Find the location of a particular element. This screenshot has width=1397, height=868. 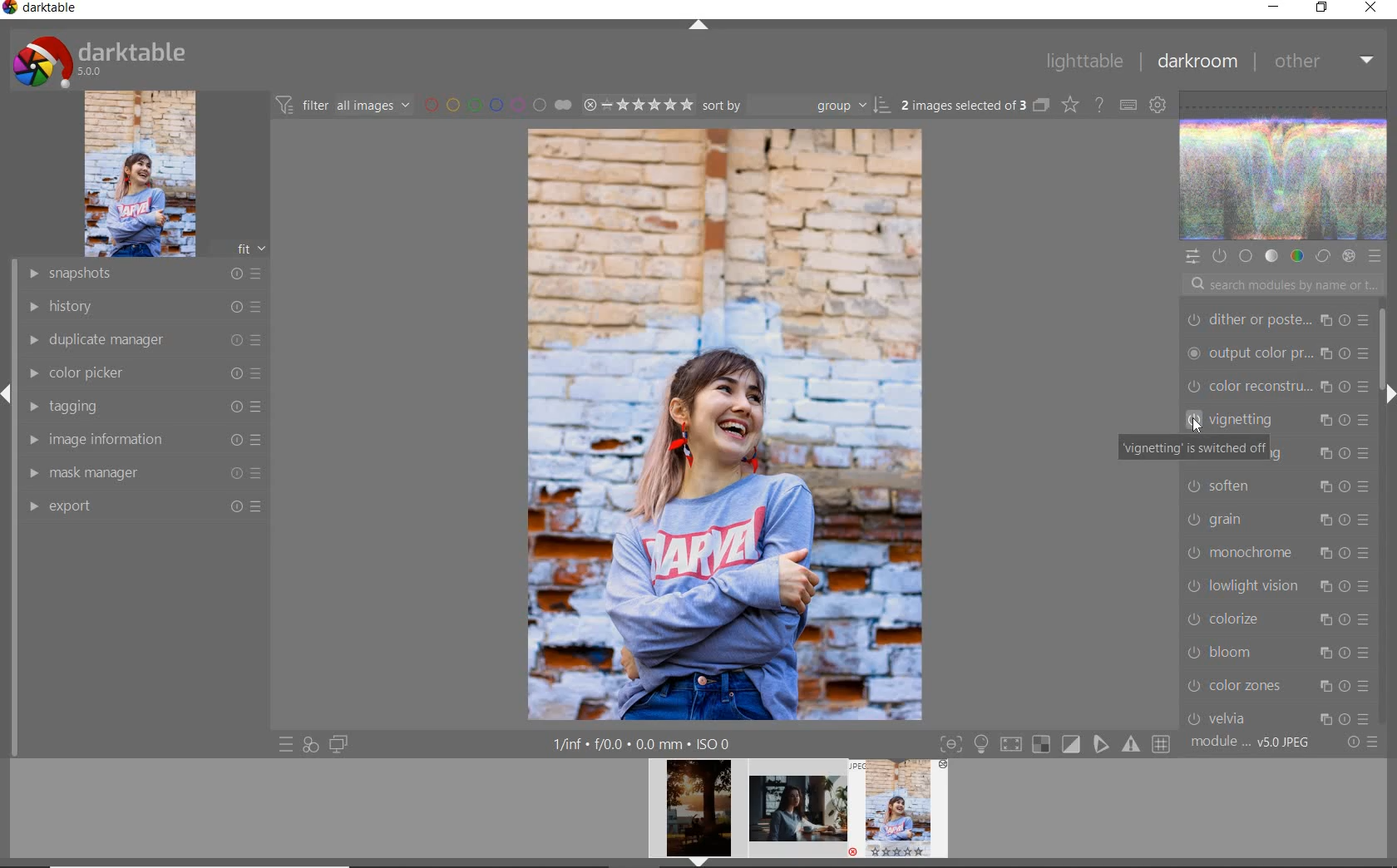

liquify is located at coordinates (1276, 483).